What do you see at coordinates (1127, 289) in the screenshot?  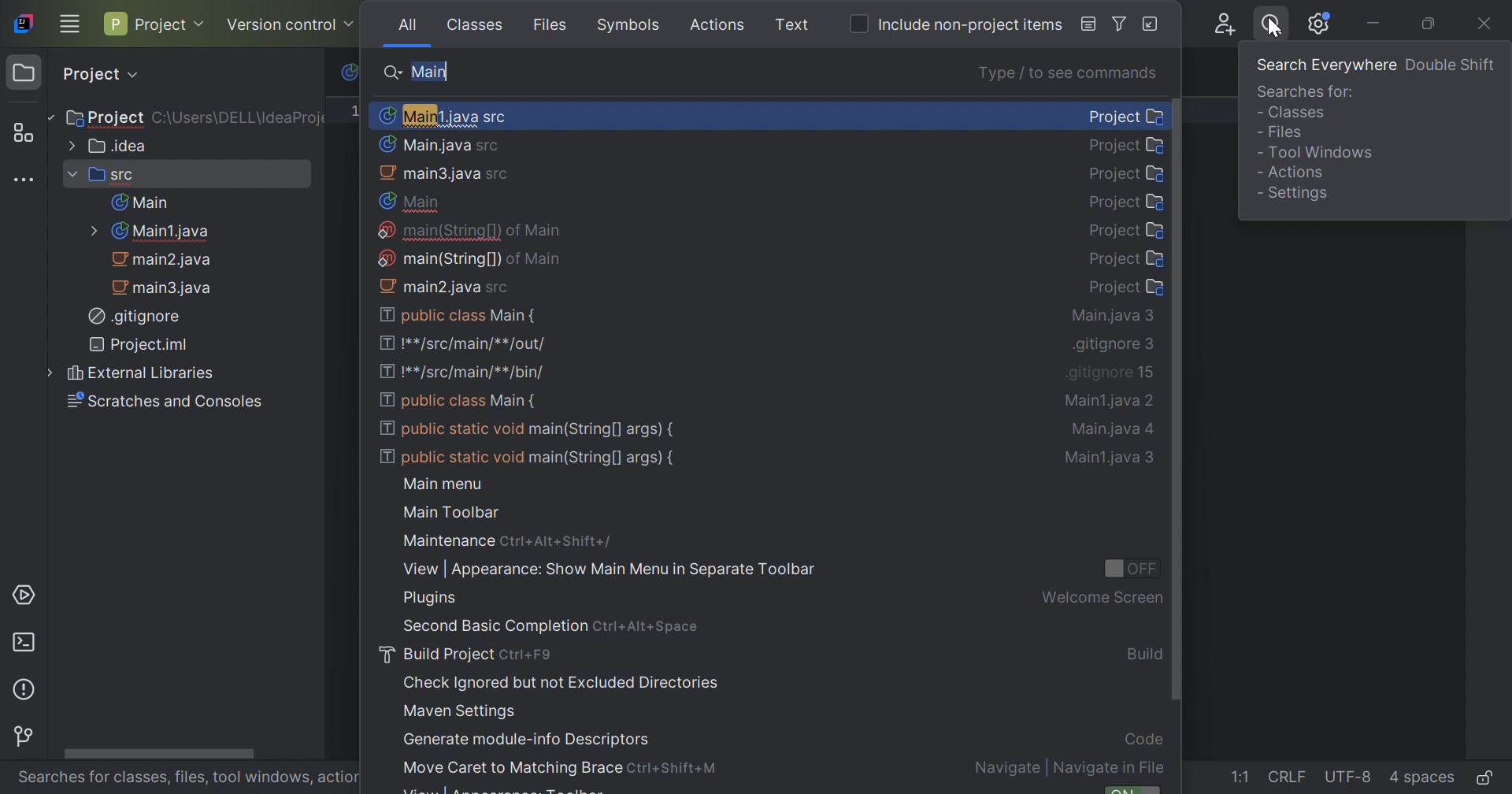 I see `Project` at bounding box center [1127, 289].